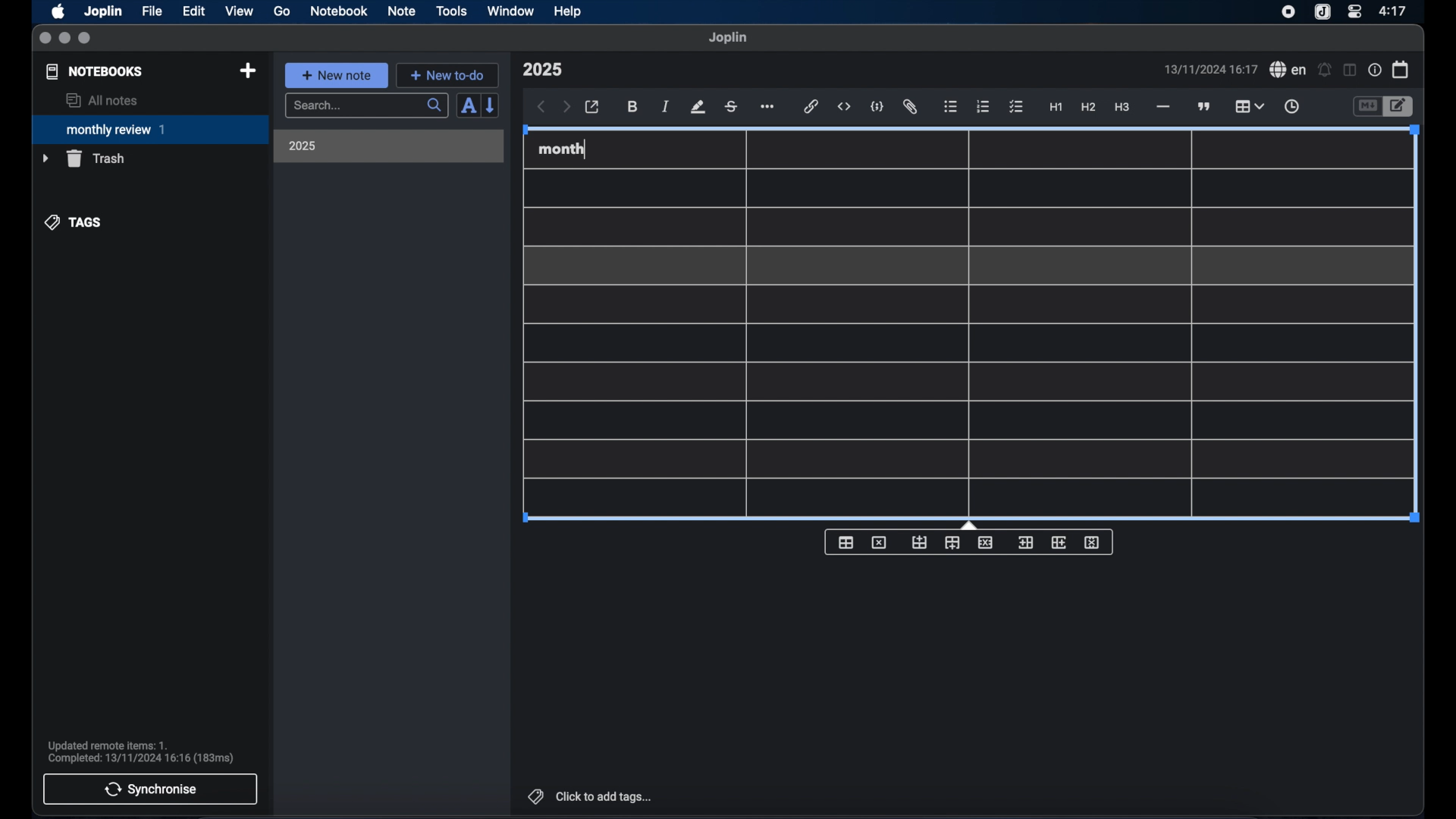 The width and height of the screenshot is (1456, 819). Describe the element at coordinates (844, 107) in the screenshot. I see `inline code` at that location.